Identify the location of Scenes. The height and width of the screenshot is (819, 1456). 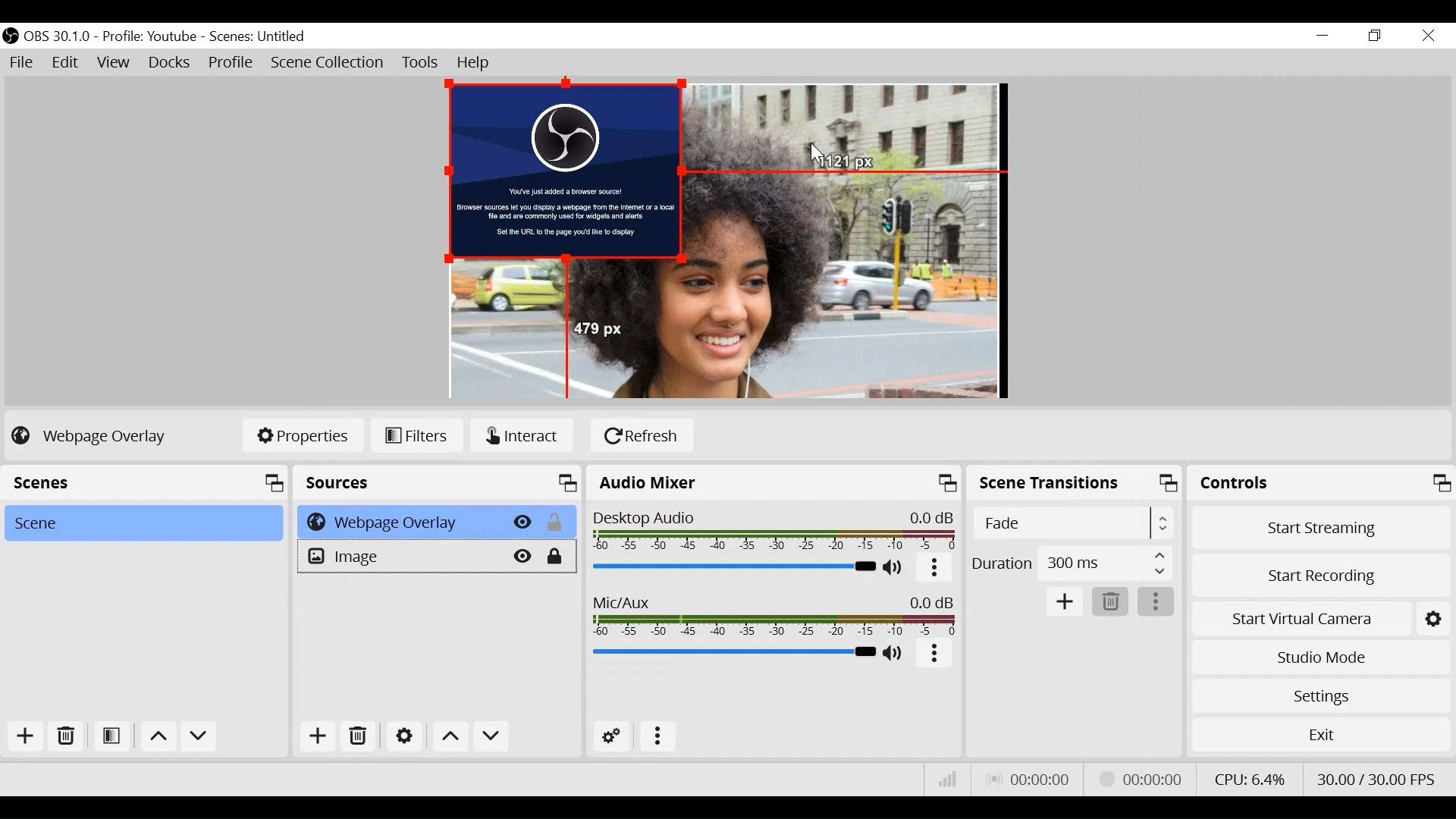
(146, 484).